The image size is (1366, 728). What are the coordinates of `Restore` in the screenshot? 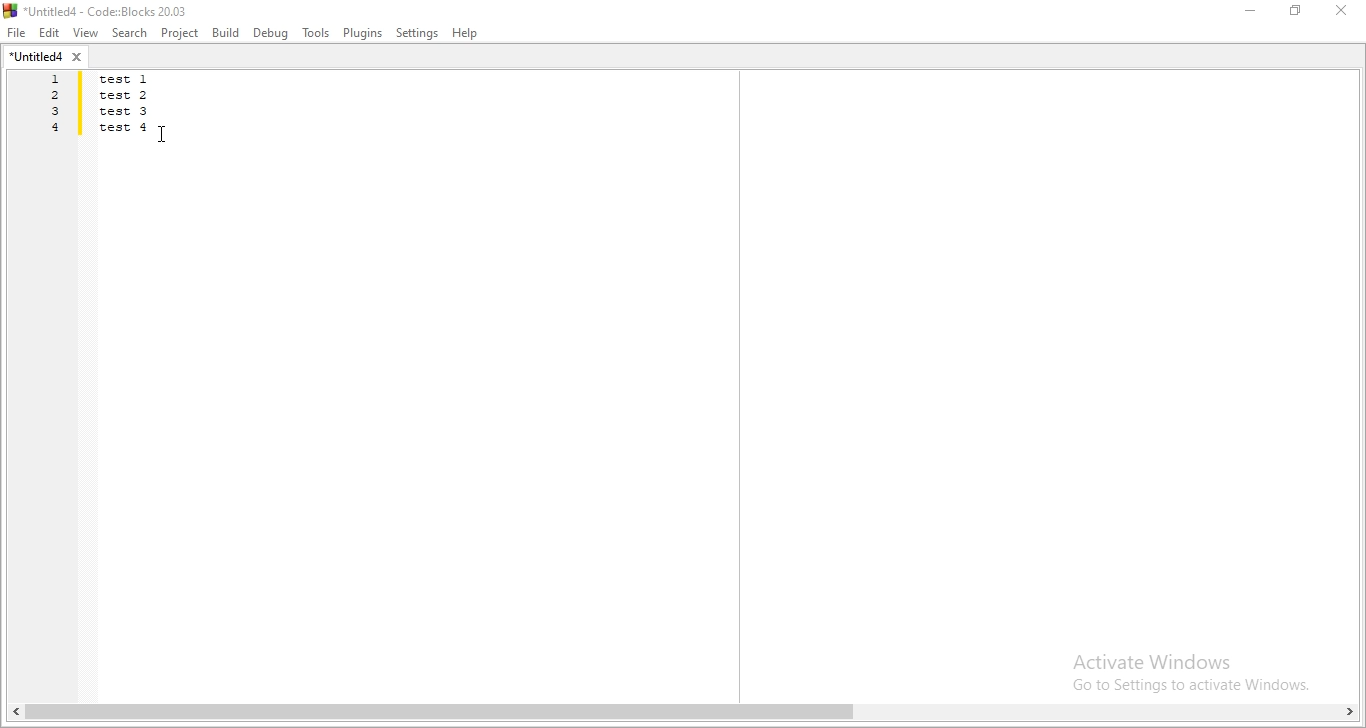 It's located at (1297, 14).